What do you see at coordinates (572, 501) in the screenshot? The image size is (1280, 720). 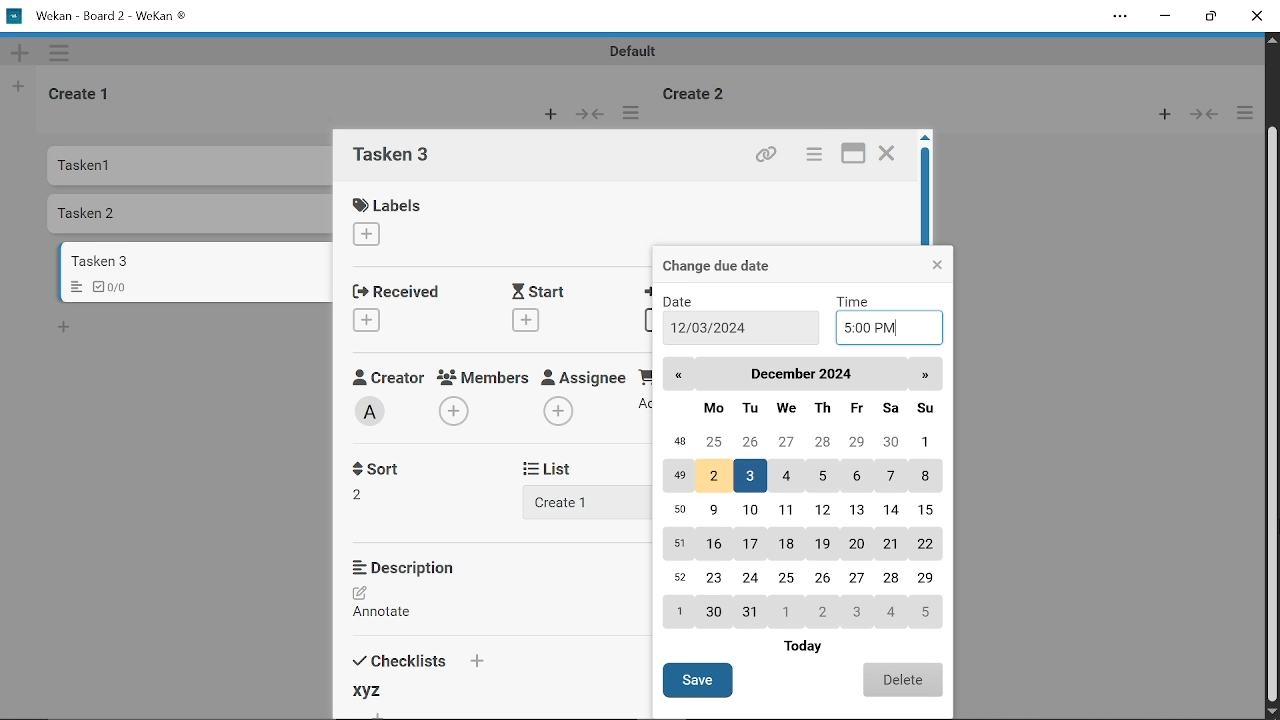 I see `Add list` at bounding box center [572, 501].